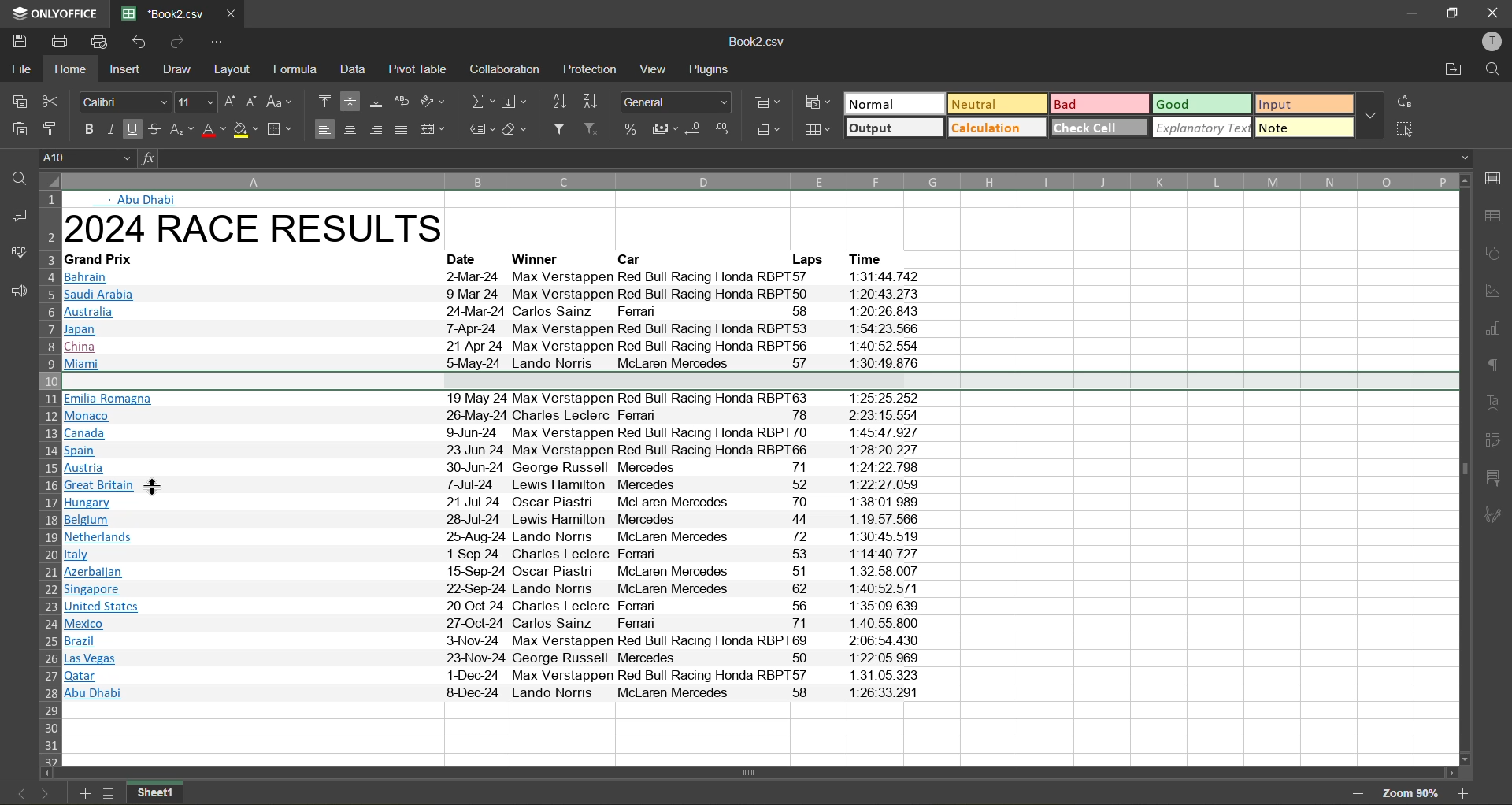 The width and height of the screenshot is (1512, 805). What do you see at coordinates (15, 290) in the screenshot?
I see `feedback` at bounding box center [15, 290].